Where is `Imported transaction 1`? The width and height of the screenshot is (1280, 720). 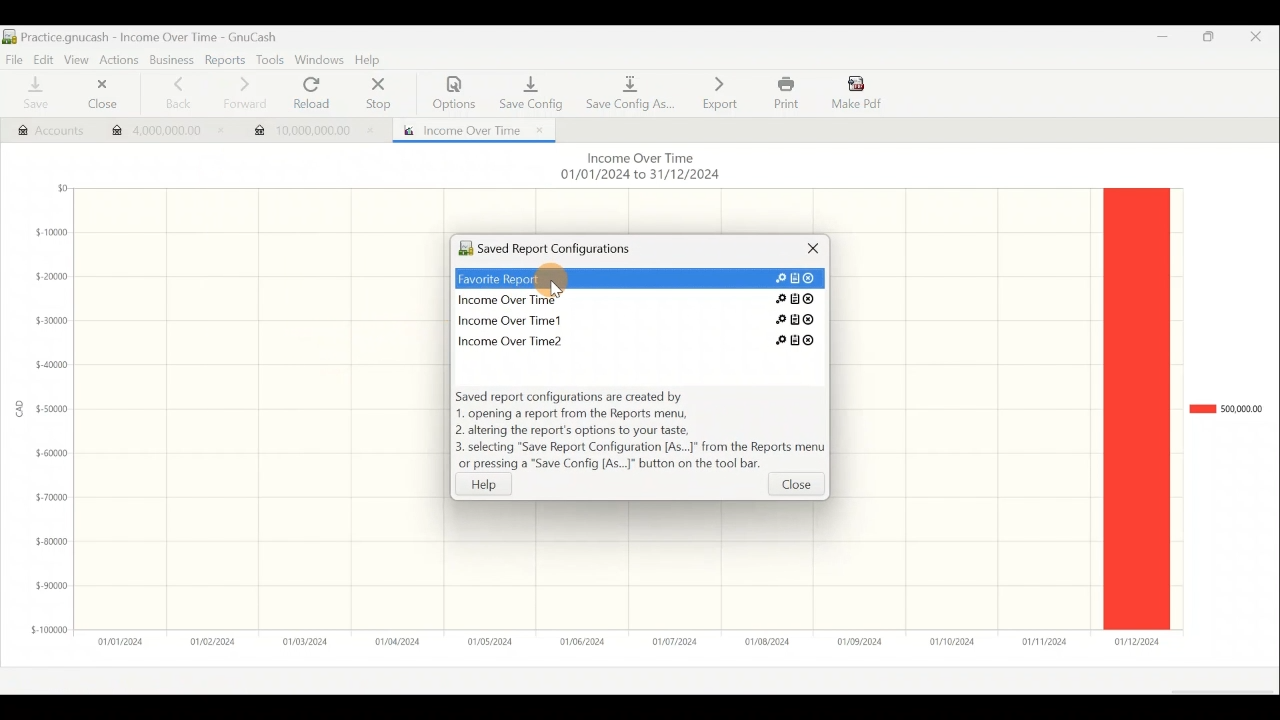 Imported transaction 1 is located at coordinates (161, 133).